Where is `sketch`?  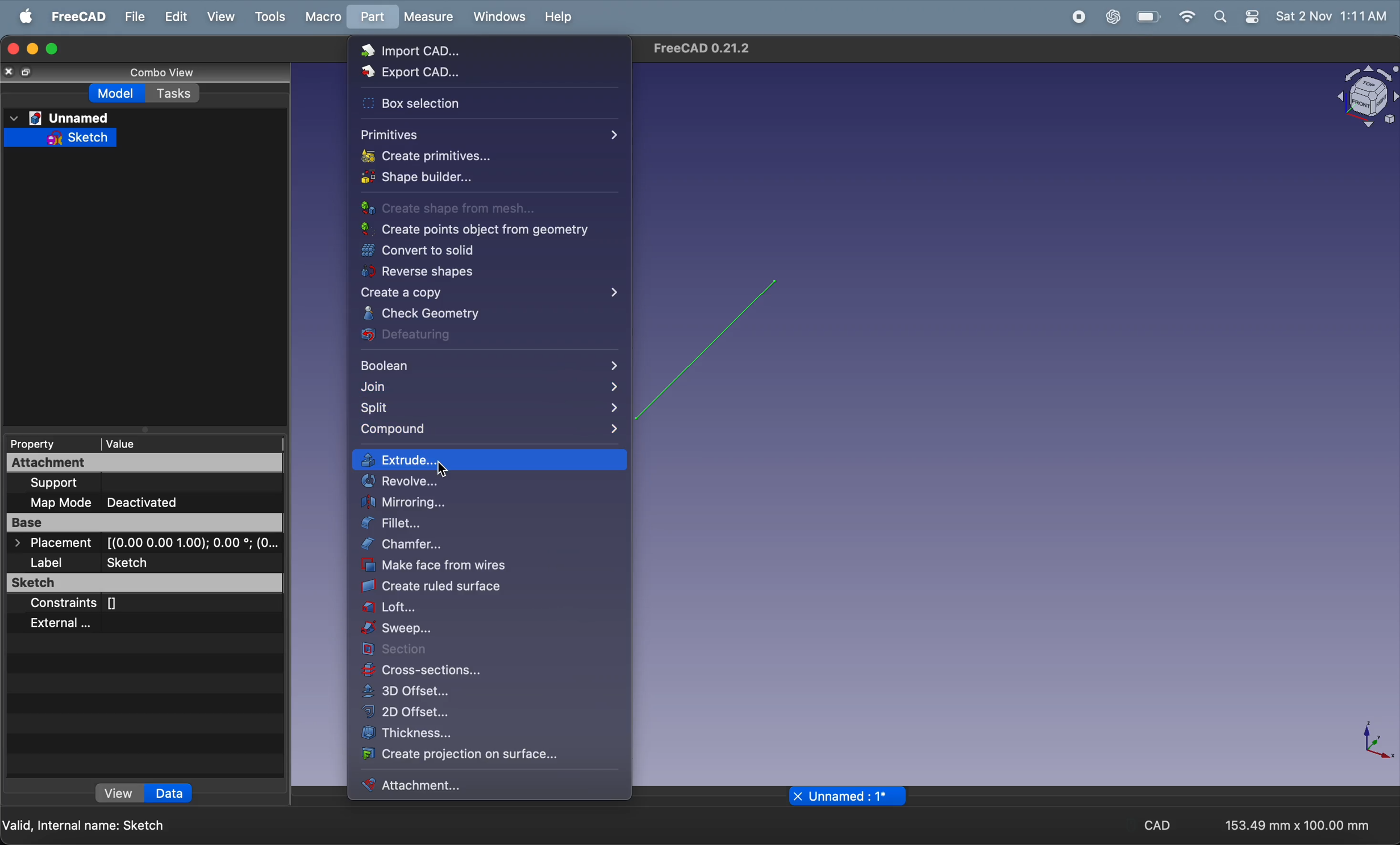 sketch is located at coordinates (63, 137).